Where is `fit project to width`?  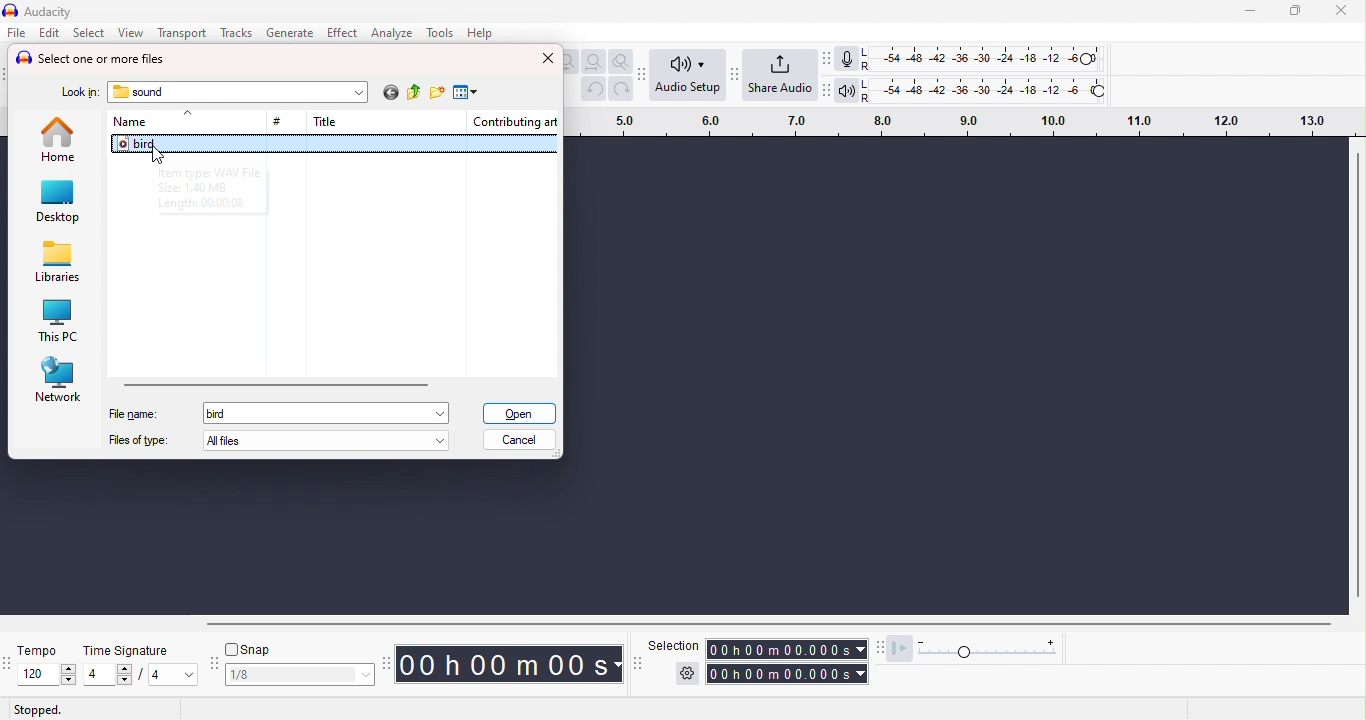 fit project to width is located at coordinates (593, 62).